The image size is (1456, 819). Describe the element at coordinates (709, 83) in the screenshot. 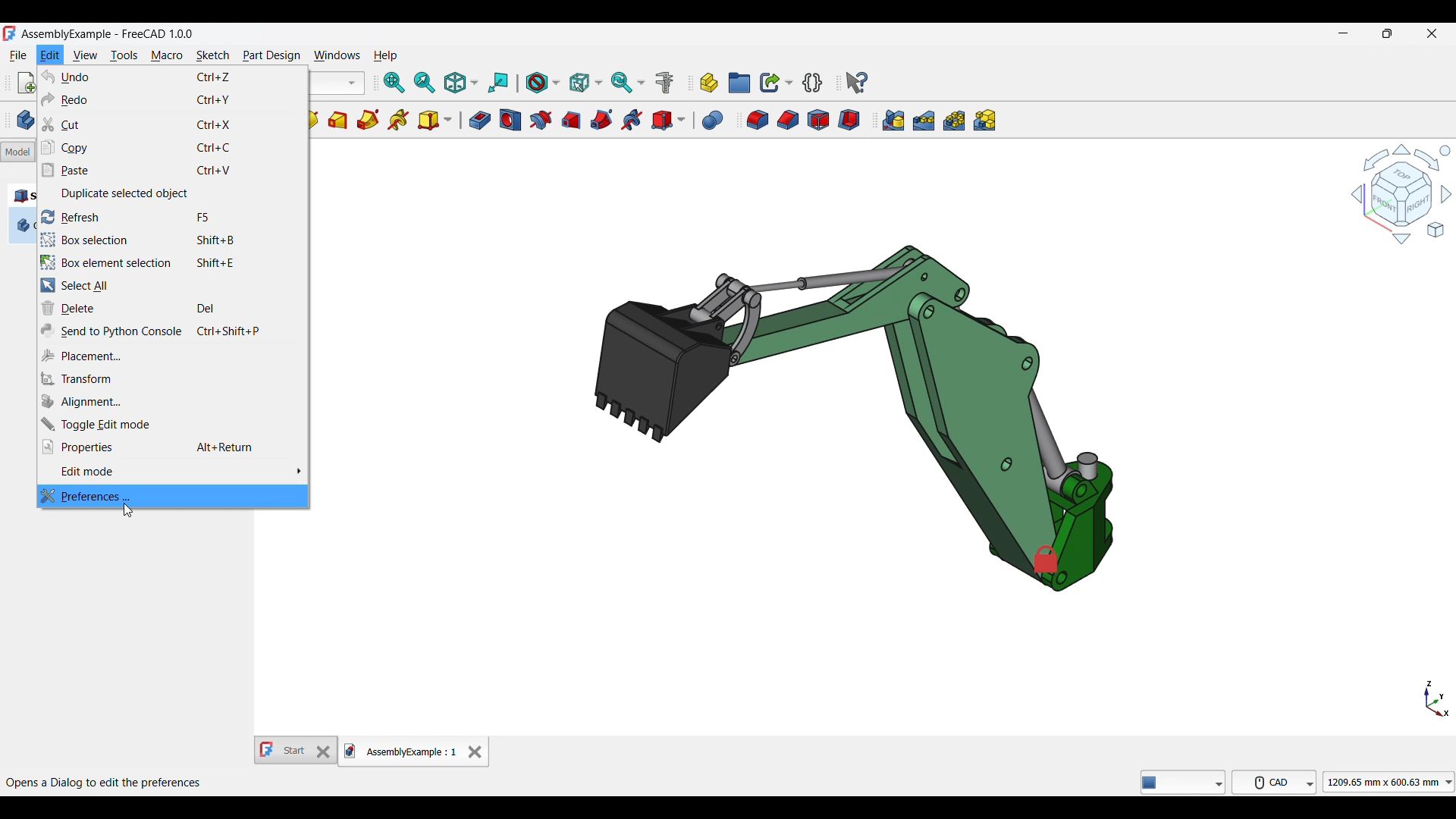

I see `Create part` at that location.